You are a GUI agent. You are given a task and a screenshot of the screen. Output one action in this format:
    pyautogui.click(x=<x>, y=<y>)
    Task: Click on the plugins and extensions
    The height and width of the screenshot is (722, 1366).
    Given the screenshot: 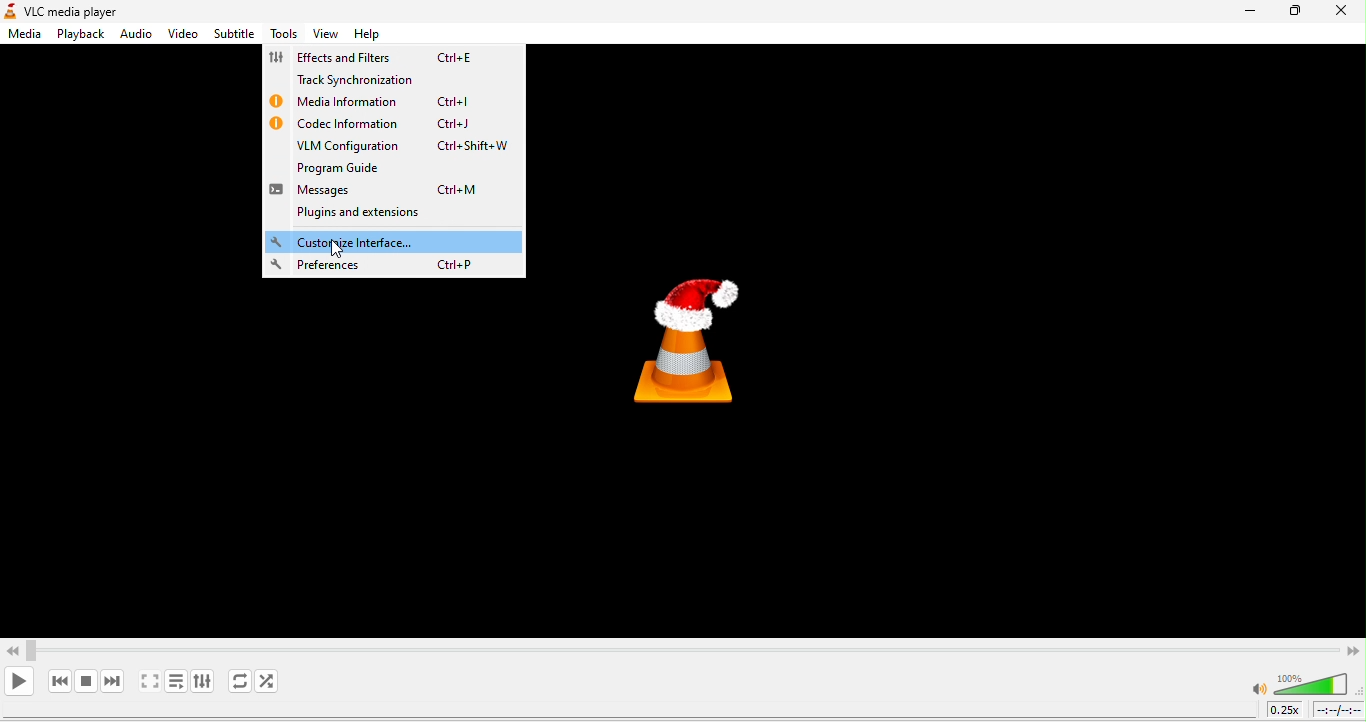 What is the action you would take?
    pyautogui.click(x=379, y=216)
    